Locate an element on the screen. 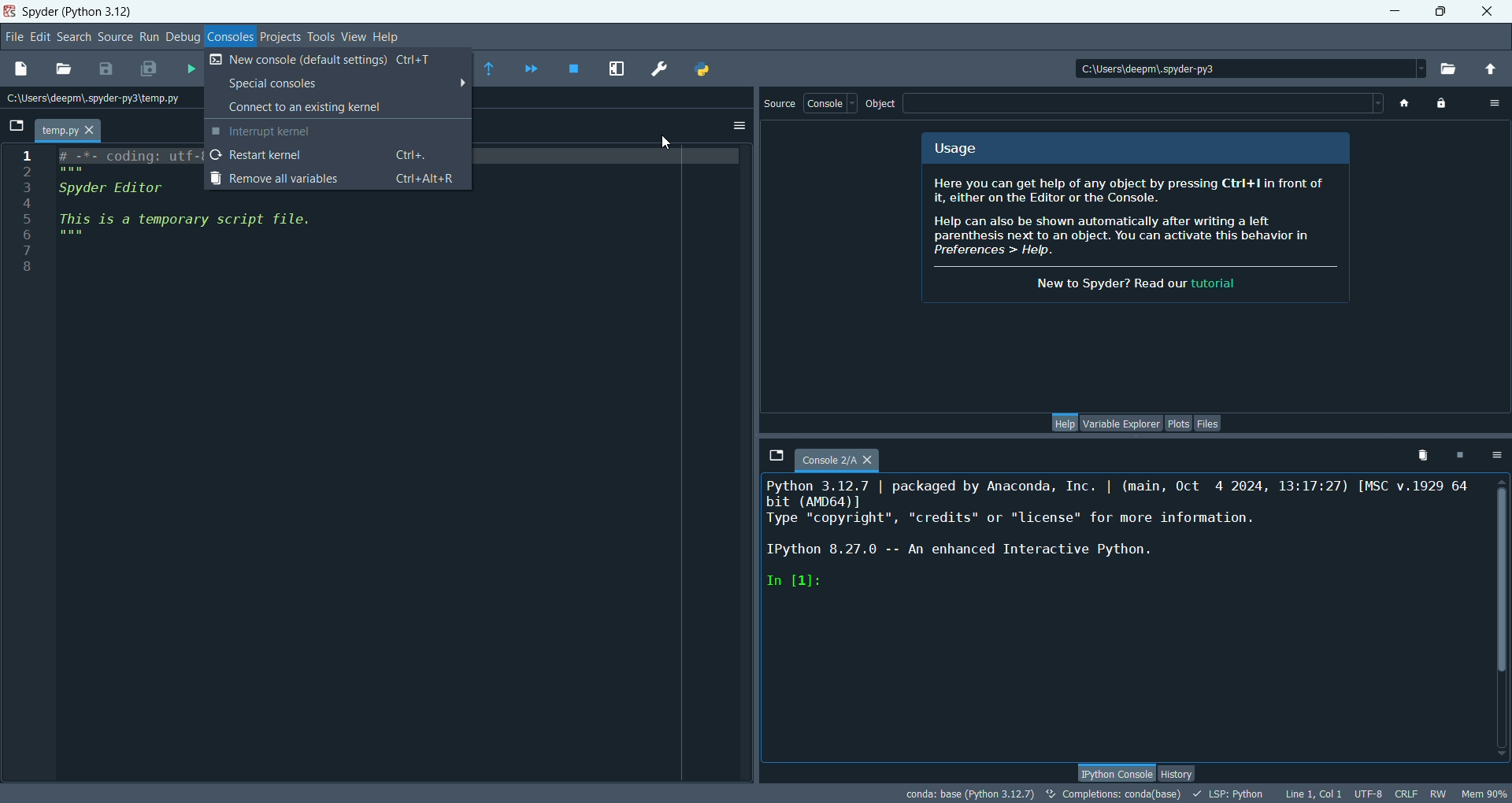  console is located at coordinates (830, 103).